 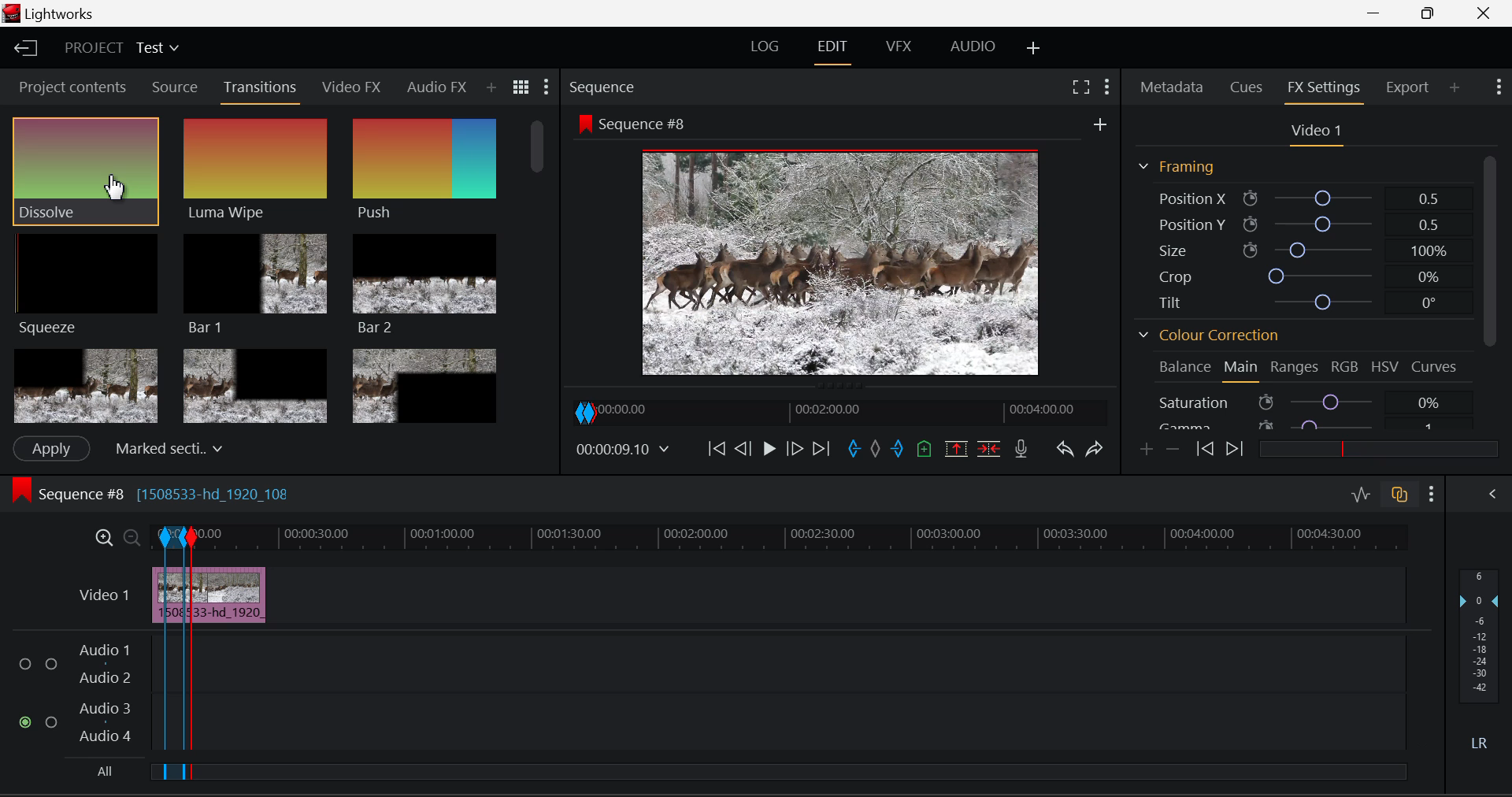 What do you see at coordinates (902, 48) in the screenshot?
I see `VFX Layout` at bounding box center [902, 48].